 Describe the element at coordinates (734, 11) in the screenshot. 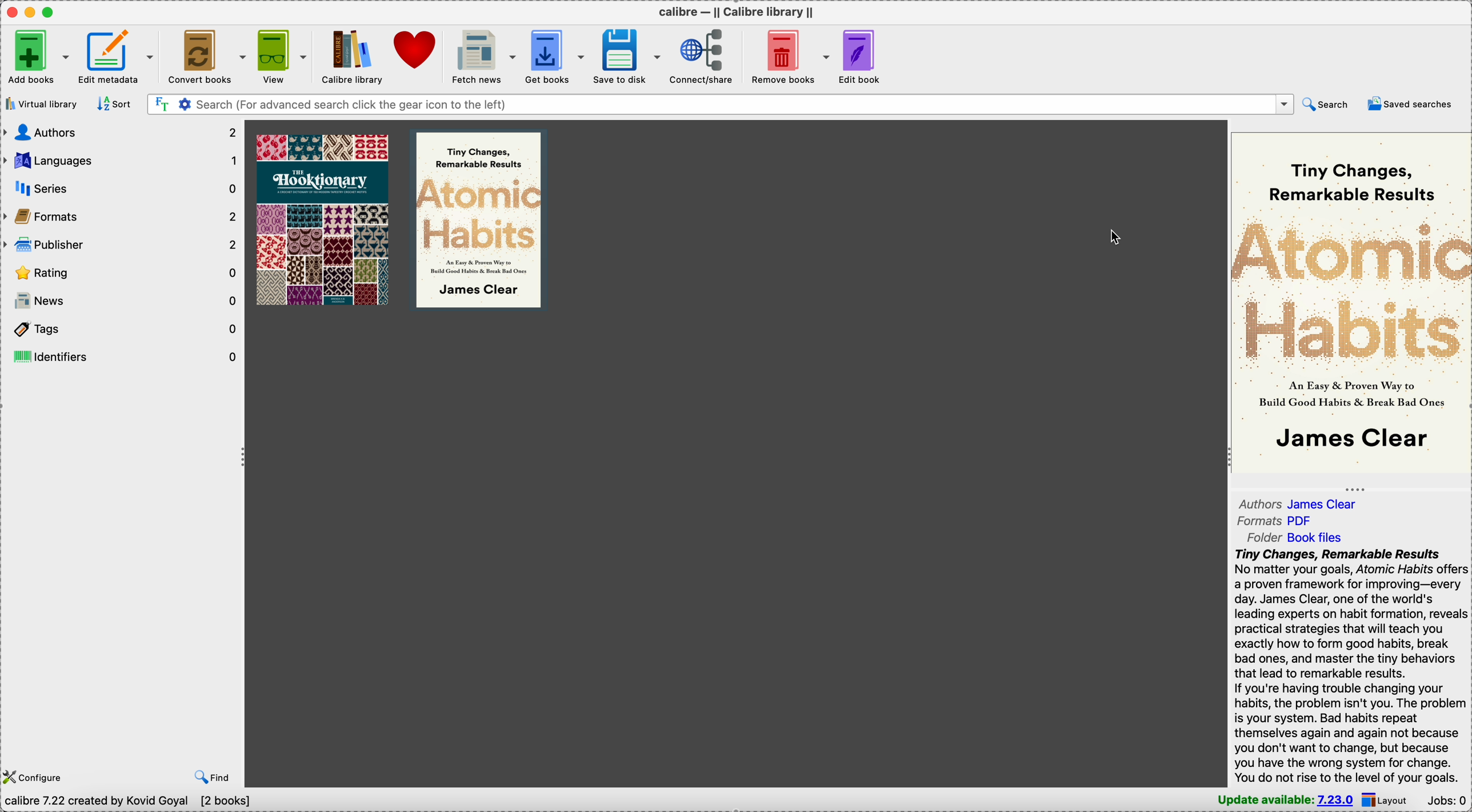

I see `Calibre - || calibre library ||` at that location.